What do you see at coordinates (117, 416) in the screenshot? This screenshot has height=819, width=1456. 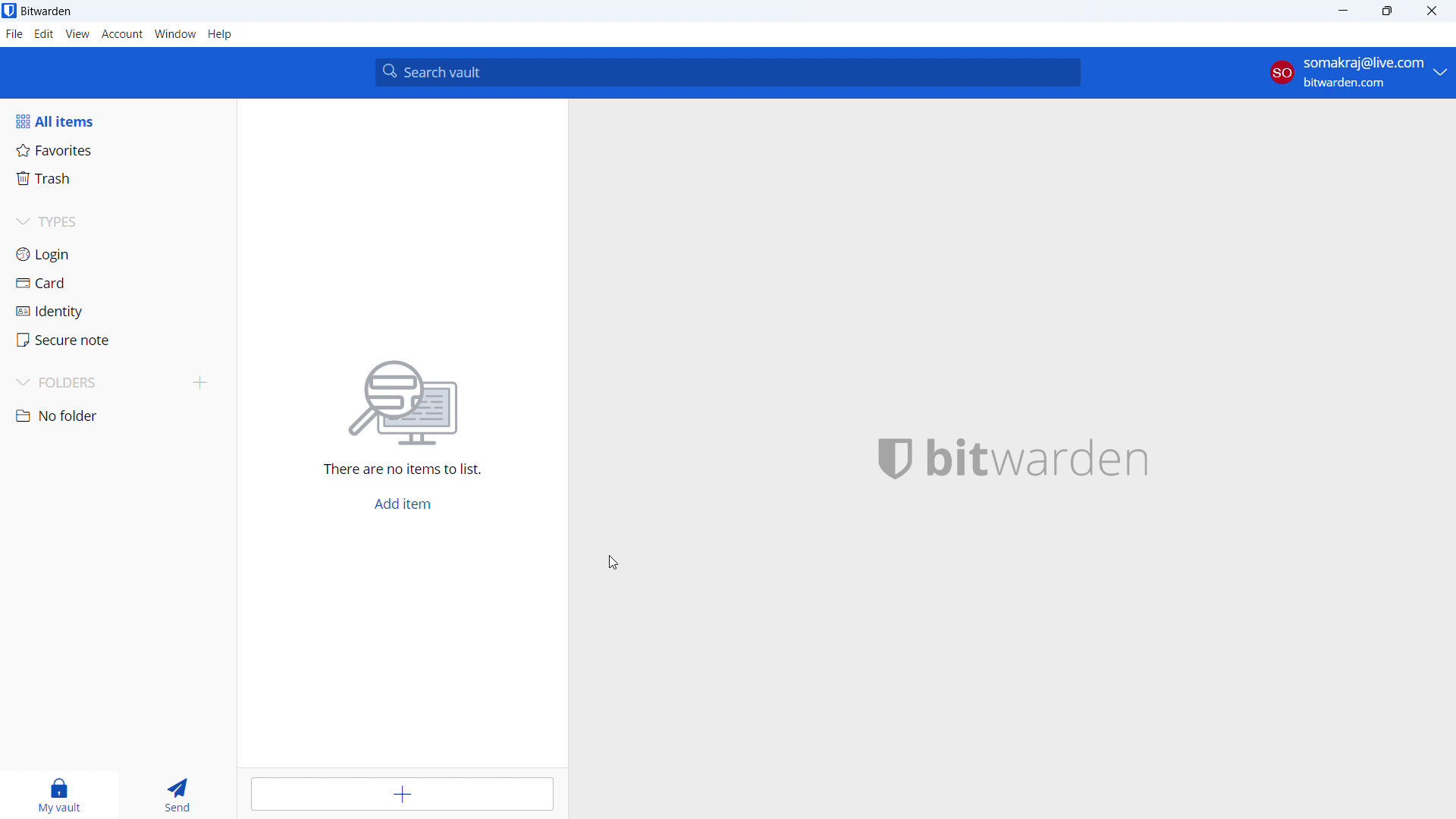 I see `no folder` at bounding box center [117, 416].